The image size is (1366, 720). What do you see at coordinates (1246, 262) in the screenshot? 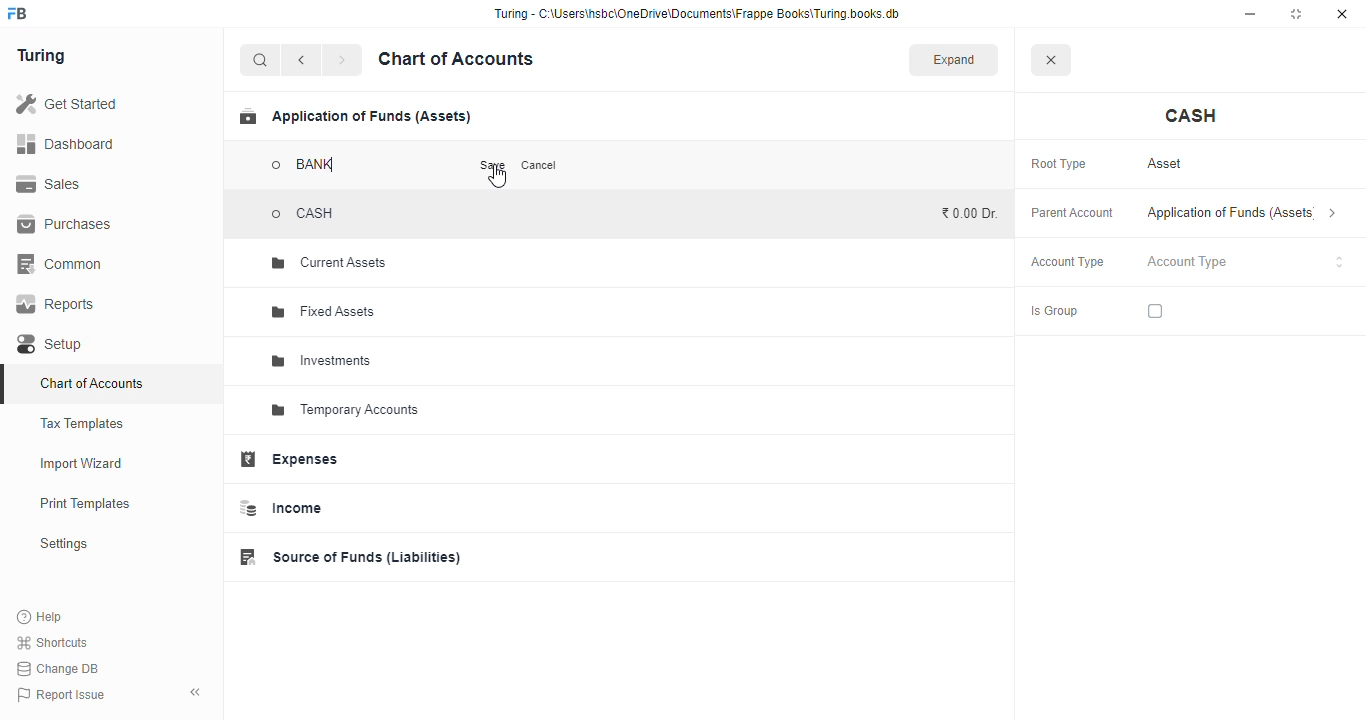
I see `account type` at bounding box center [1246, 262].